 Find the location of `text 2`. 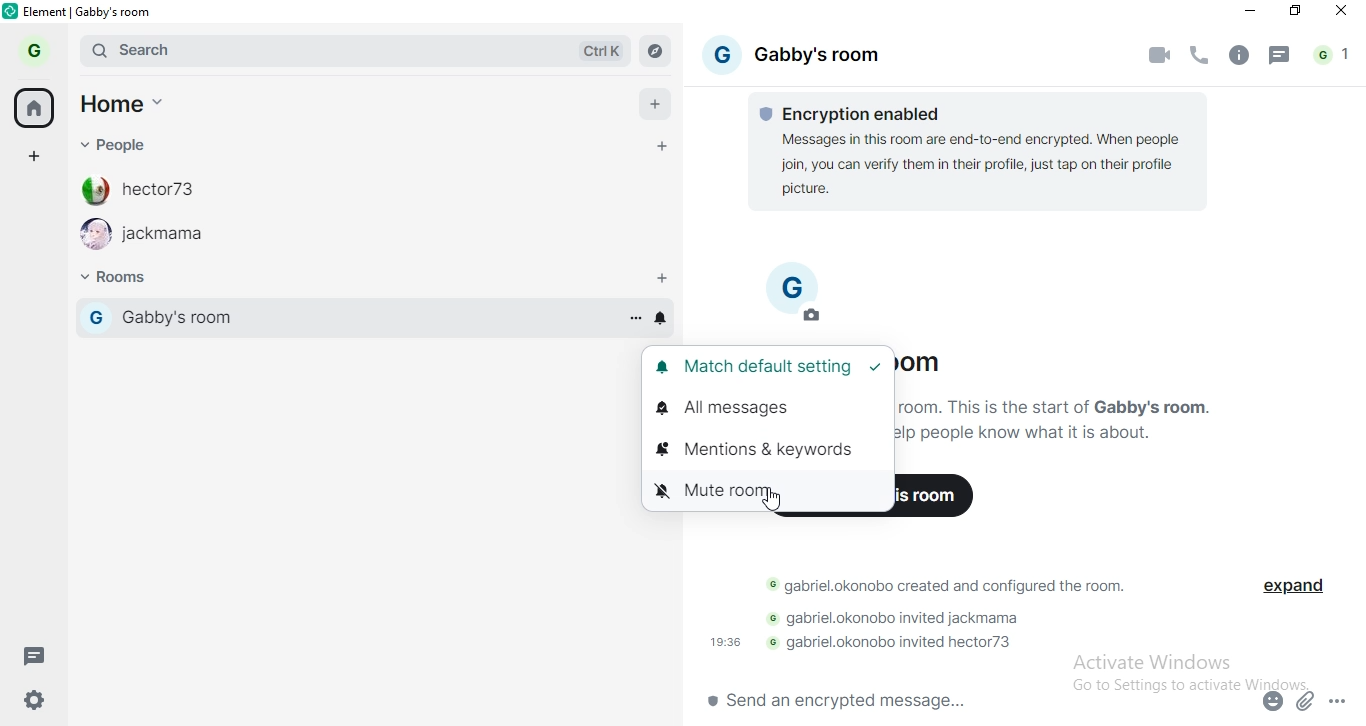

text 2 is located at coordinates (1051, 429).